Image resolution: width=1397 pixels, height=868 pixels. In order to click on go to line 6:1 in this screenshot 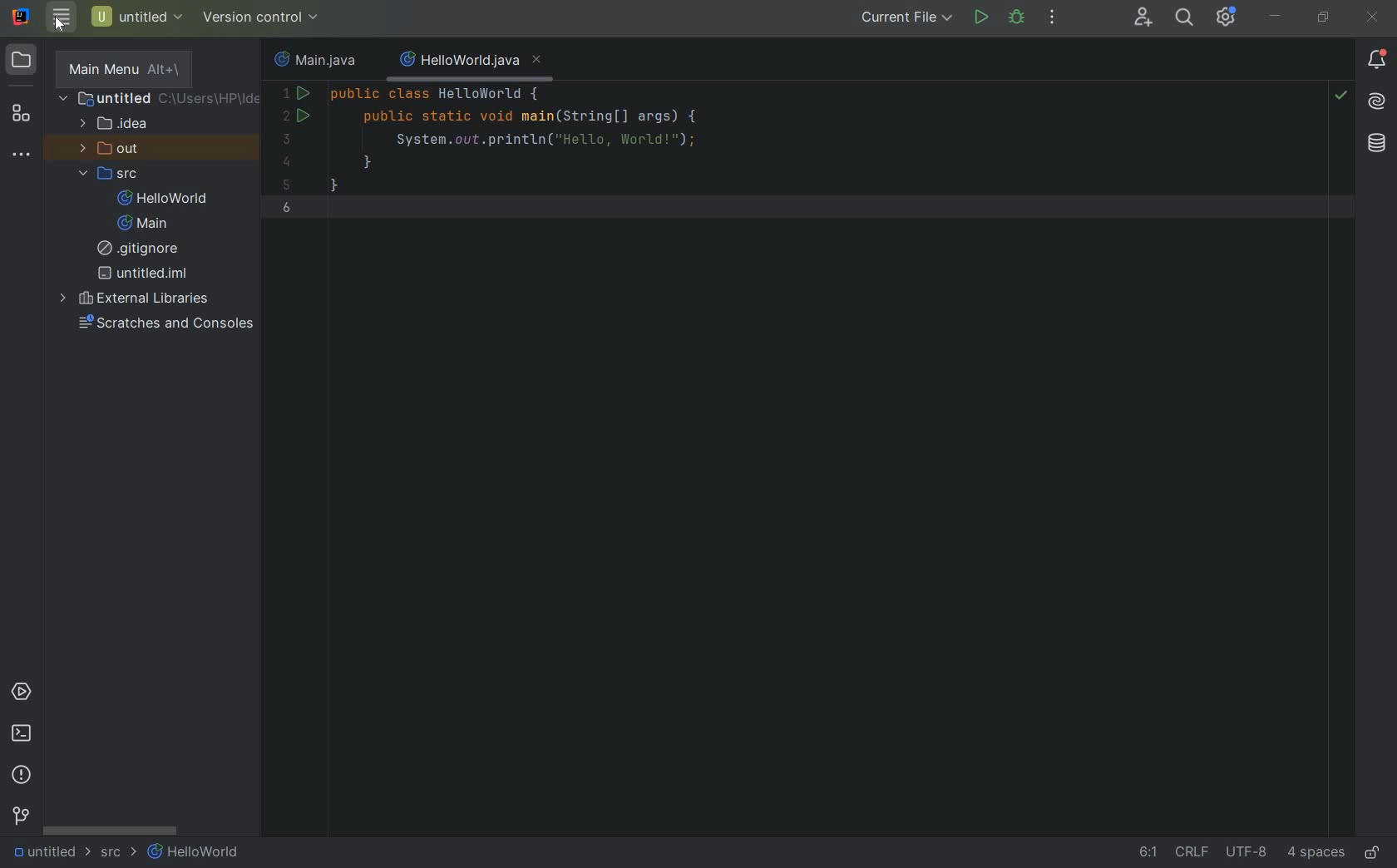, I will do `click(1148, 853)`.